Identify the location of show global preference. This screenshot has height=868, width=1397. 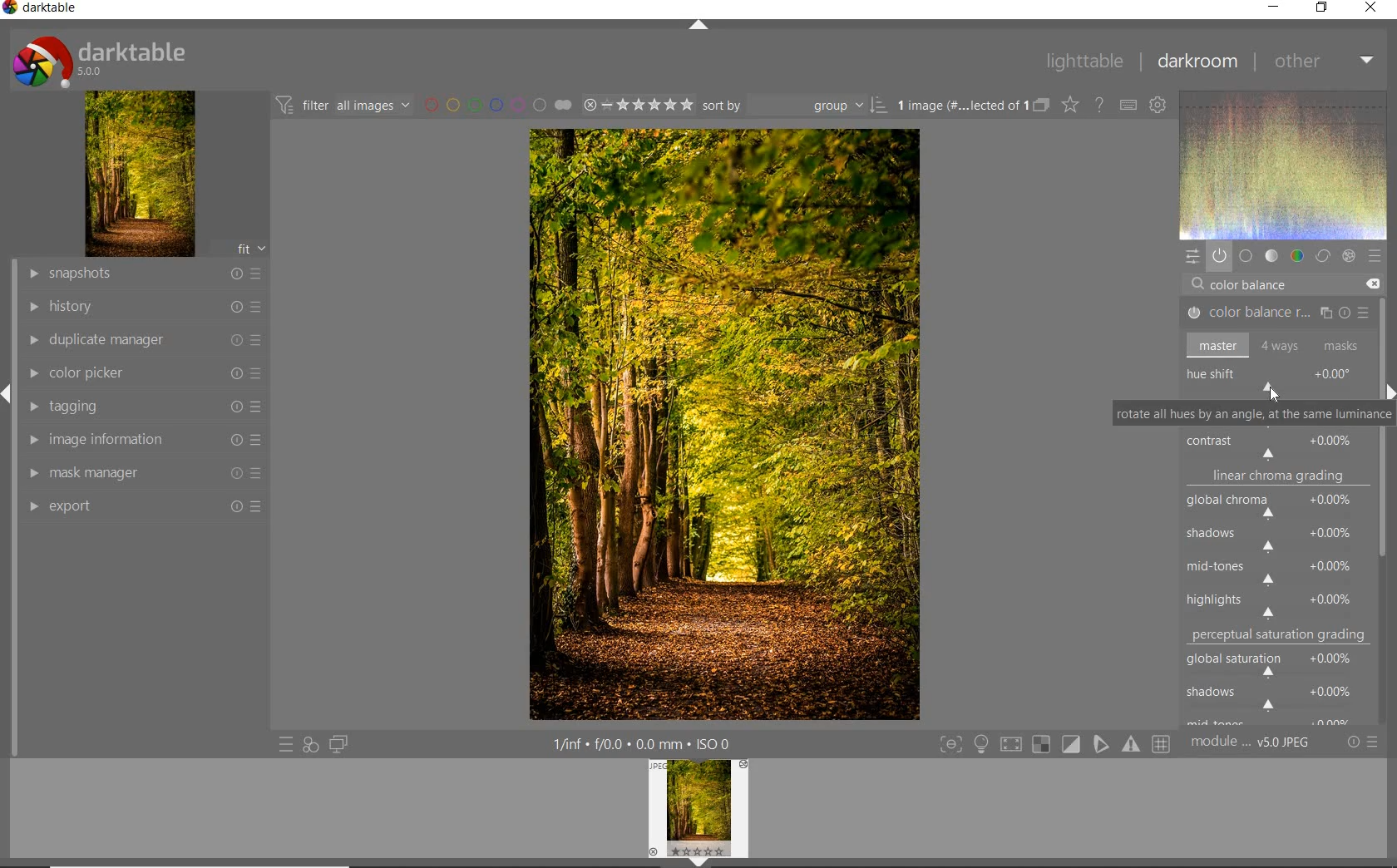
(1159, 106).